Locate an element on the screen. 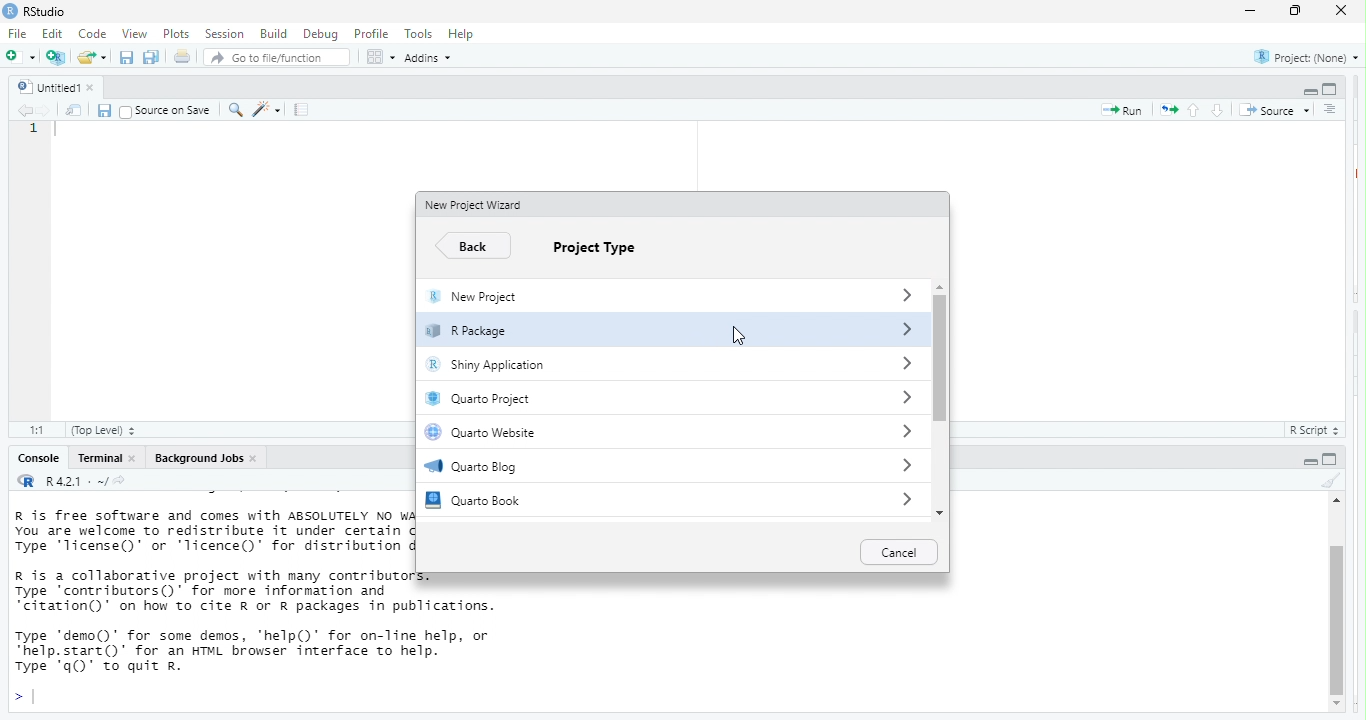  dropdown is located at coordinates (902, 397).